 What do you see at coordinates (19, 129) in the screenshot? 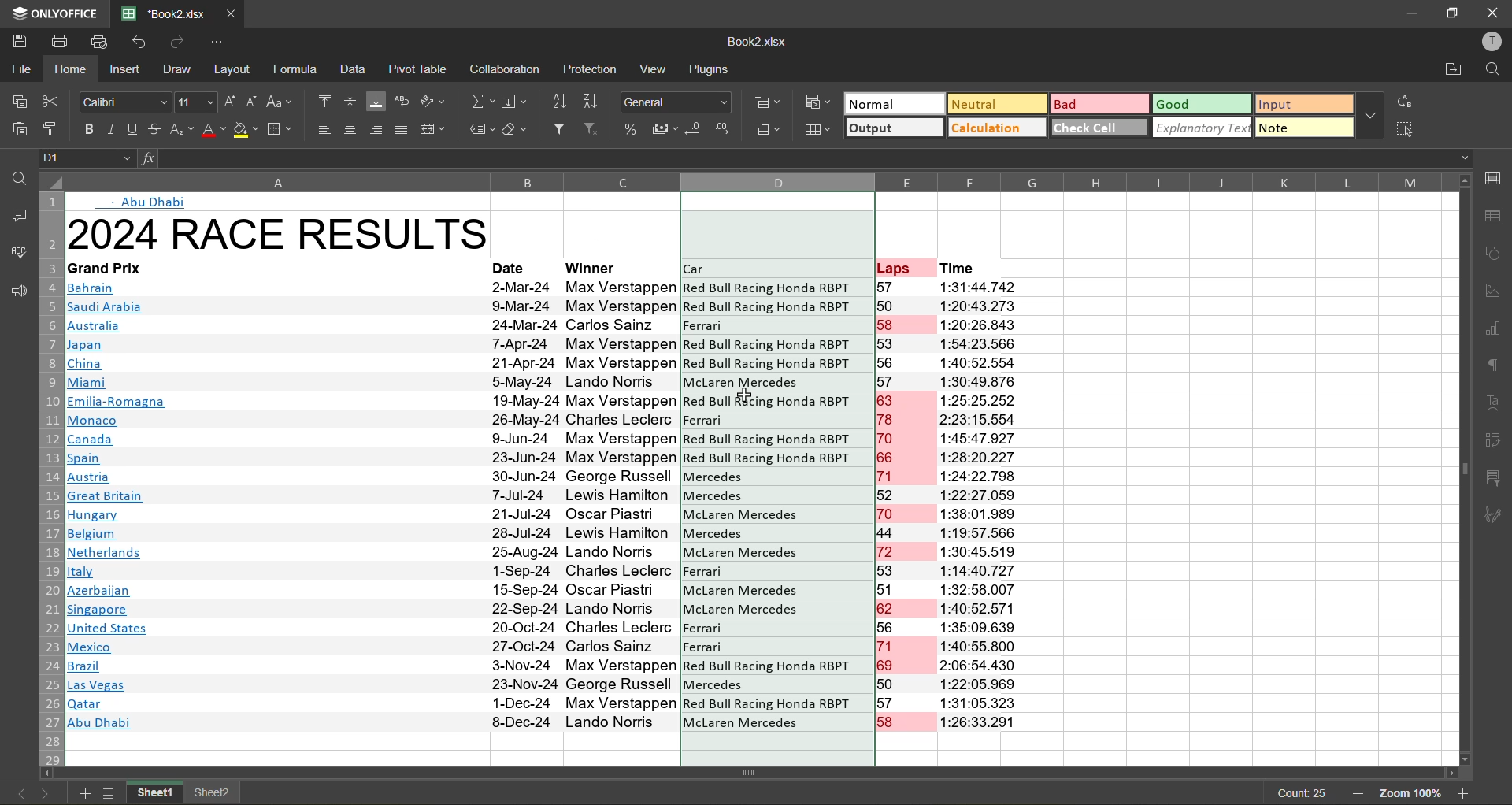
I see `paste` at bounding box center [19, 129].